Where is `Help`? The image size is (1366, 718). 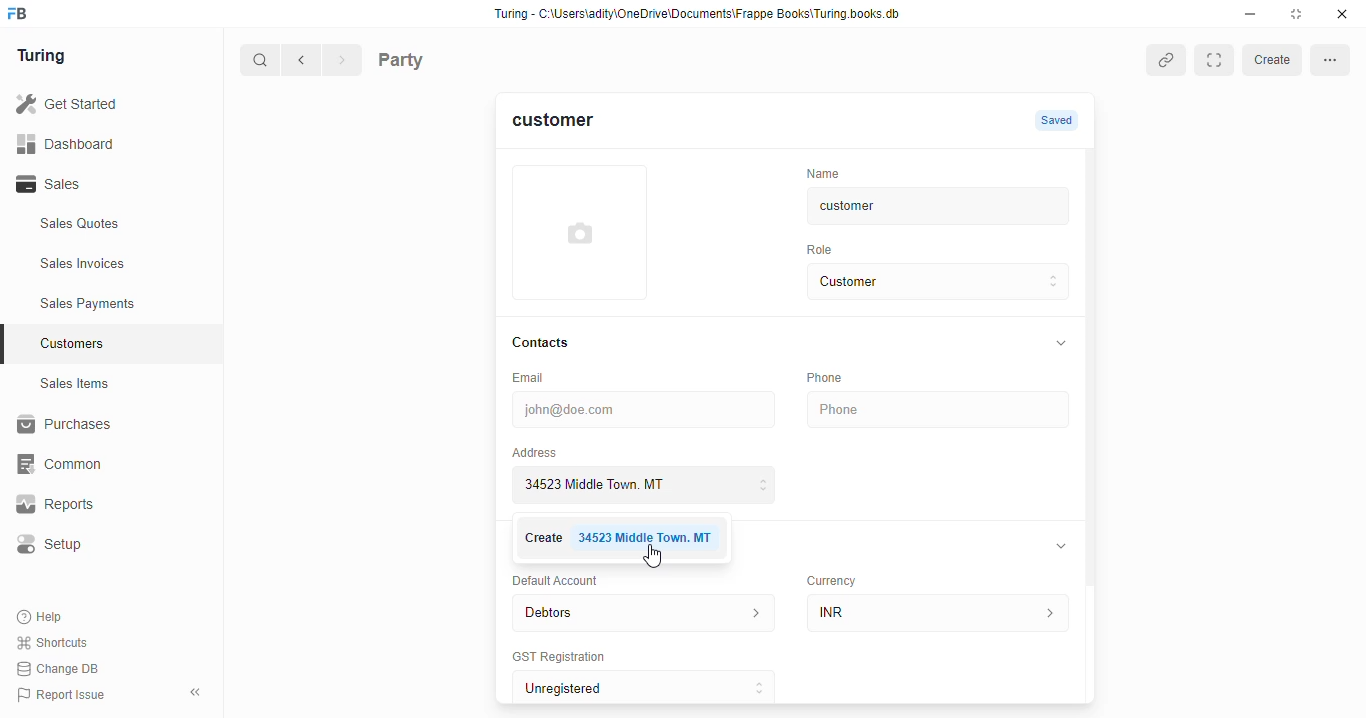
Help is located at coordinates (42, 618).